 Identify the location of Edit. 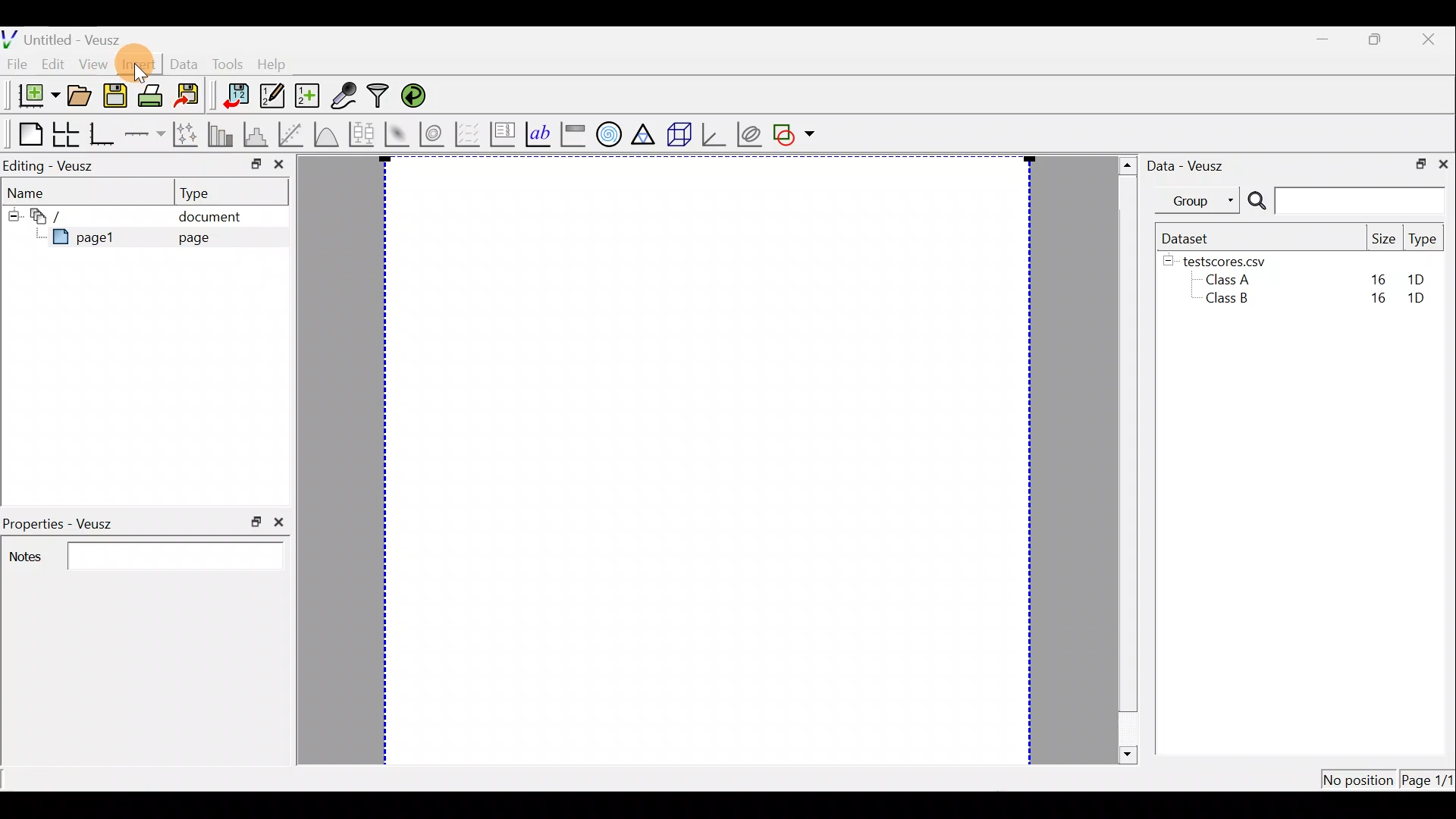
(56, 64).